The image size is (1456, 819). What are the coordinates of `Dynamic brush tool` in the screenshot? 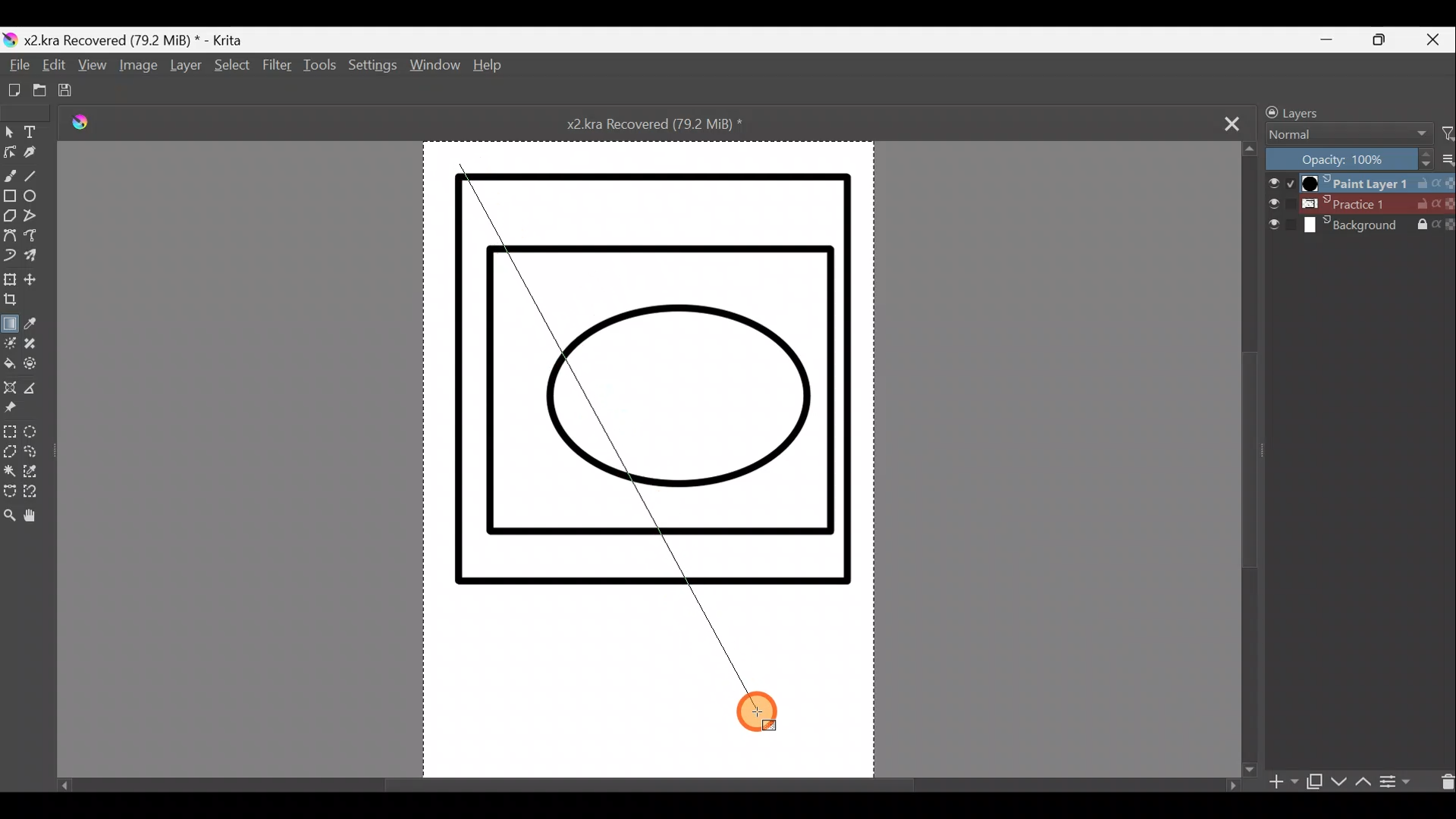 It's located at (11, 256).